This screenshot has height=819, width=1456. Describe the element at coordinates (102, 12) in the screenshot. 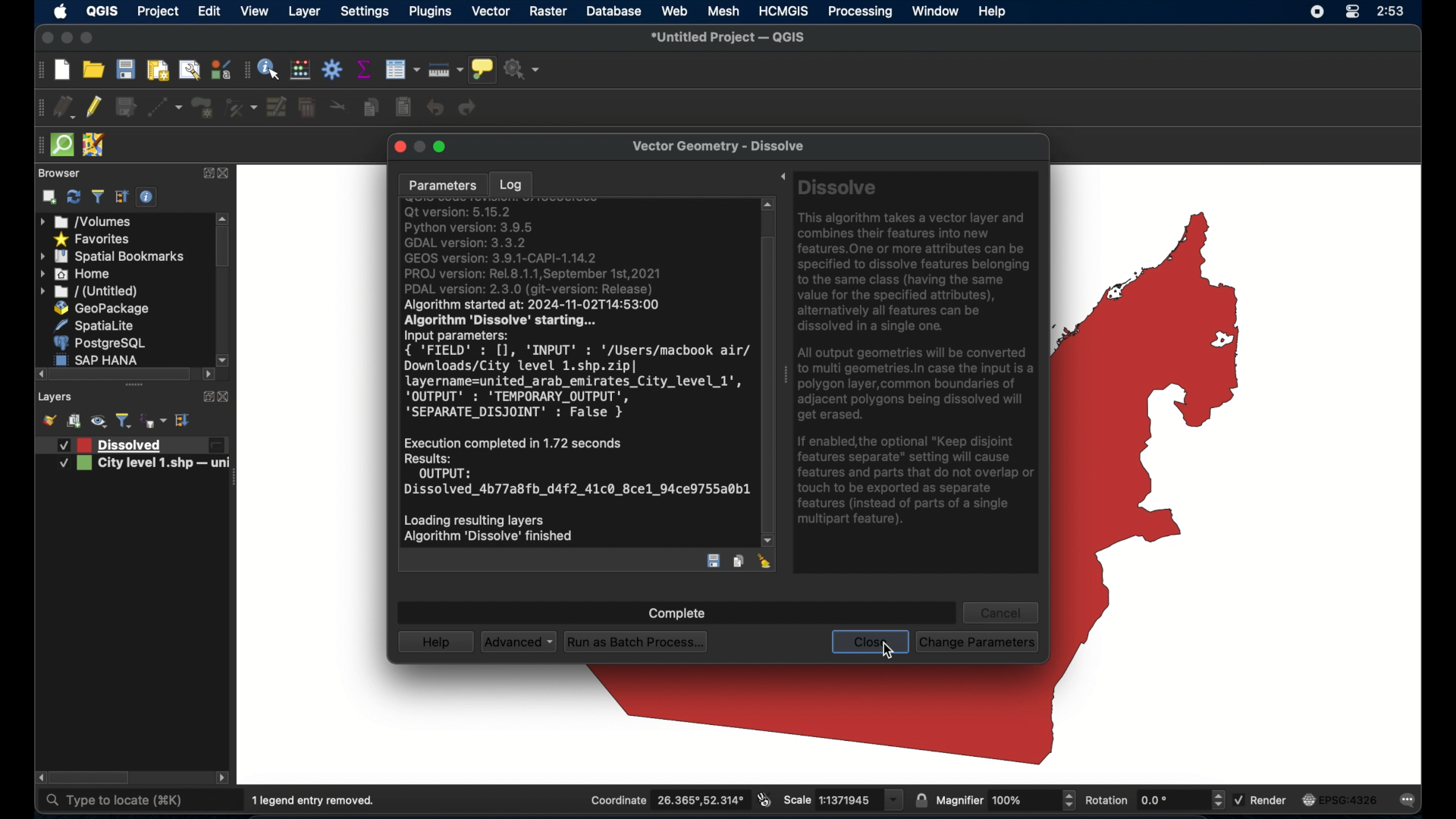

I see `QGIS` at that location.